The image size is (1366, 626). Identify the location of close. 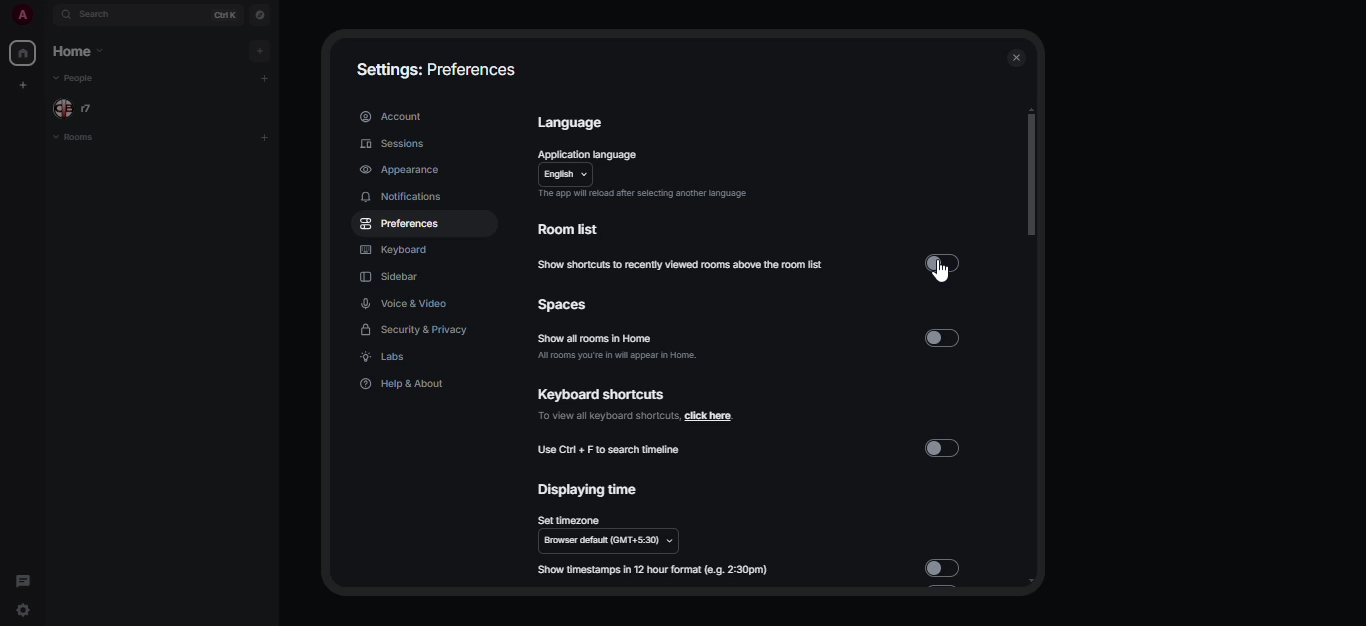
(1018, 59).